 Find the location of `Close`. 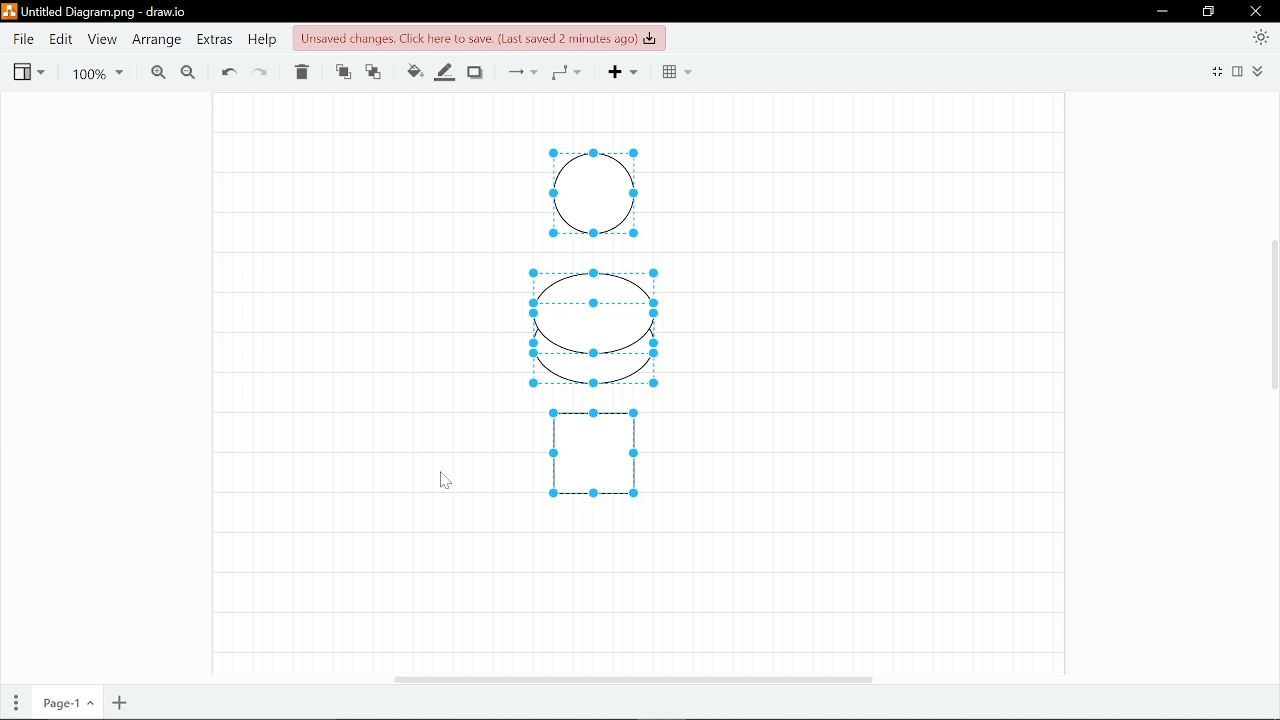

Close is located at coordinates (1257, 12).